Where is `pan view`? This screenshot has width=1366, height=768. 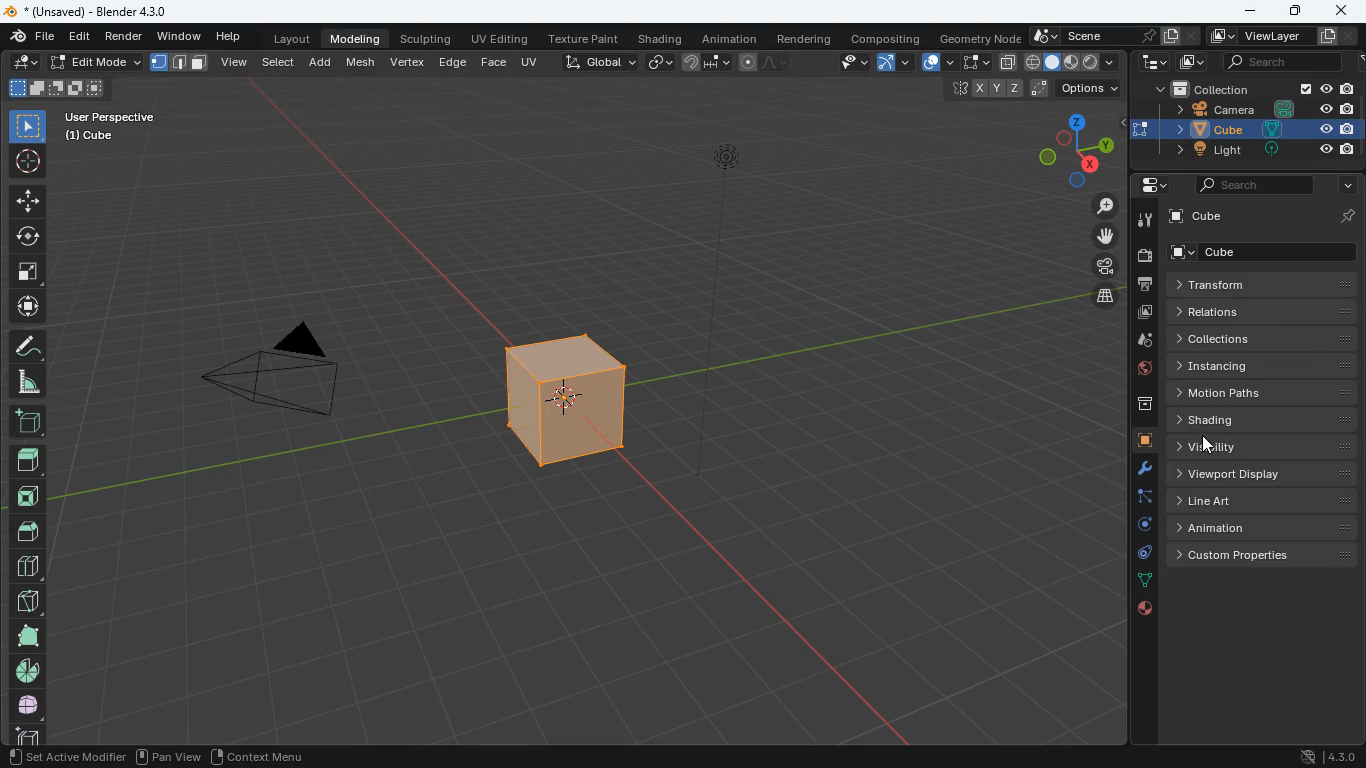 pan view is located at coordinates (167, 755).